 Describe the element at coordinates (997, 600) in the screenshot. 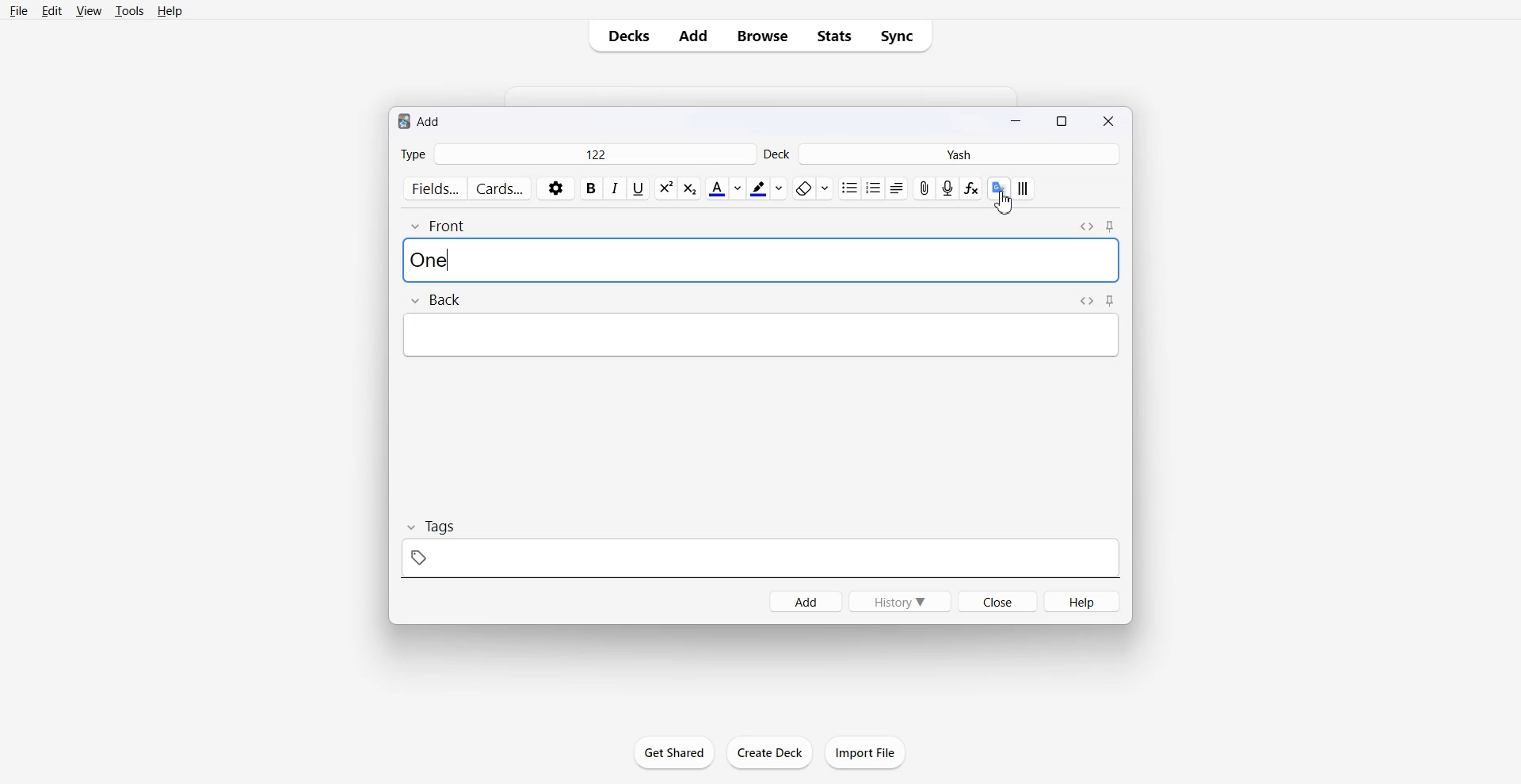

I see `Close` at that location.